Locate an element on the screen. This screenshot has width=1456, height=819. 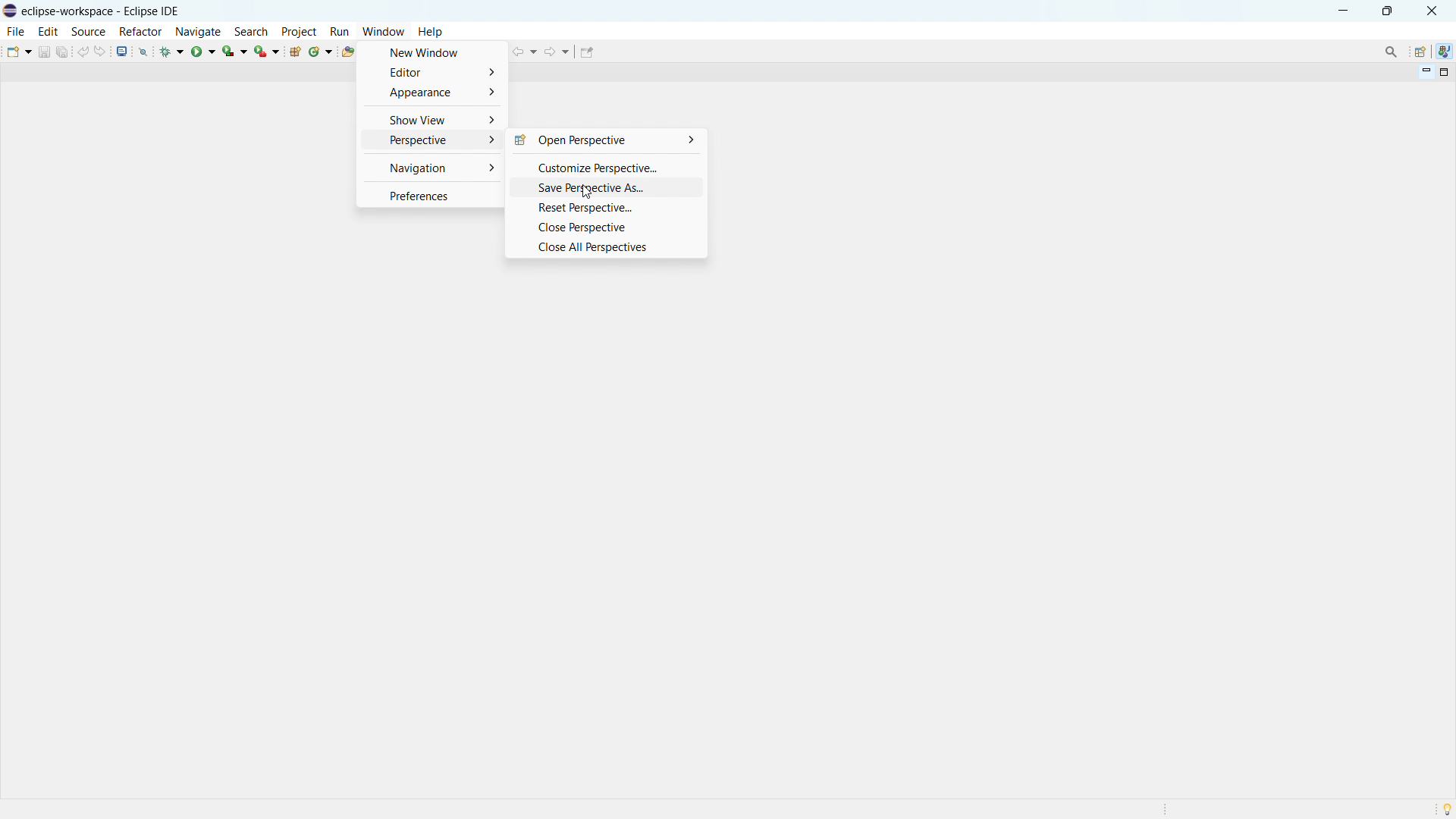
open console is located at coordinates (122, 51).